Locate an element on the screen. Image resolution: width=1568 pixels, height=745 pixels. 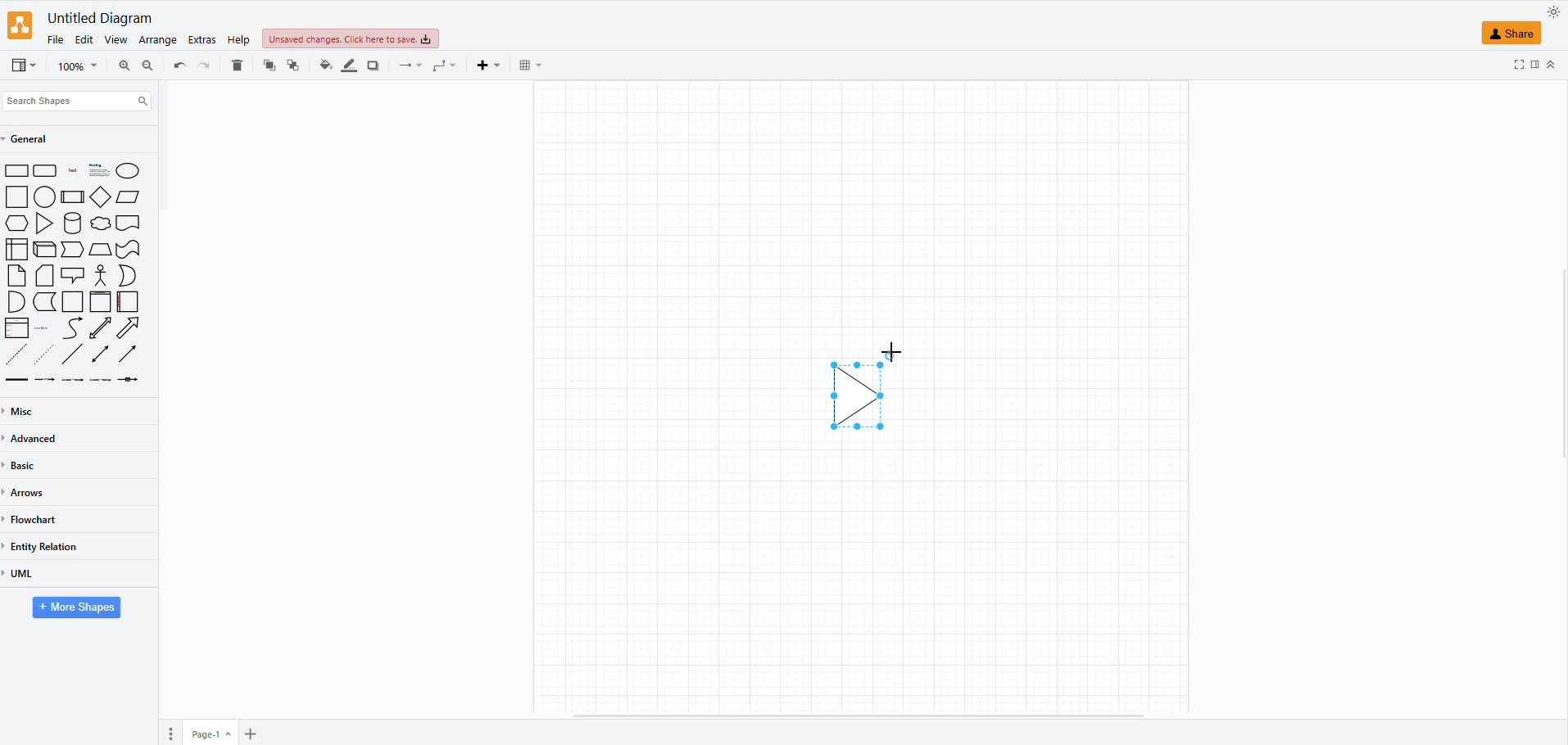
Hexagon is located at coordinates (16, 223).